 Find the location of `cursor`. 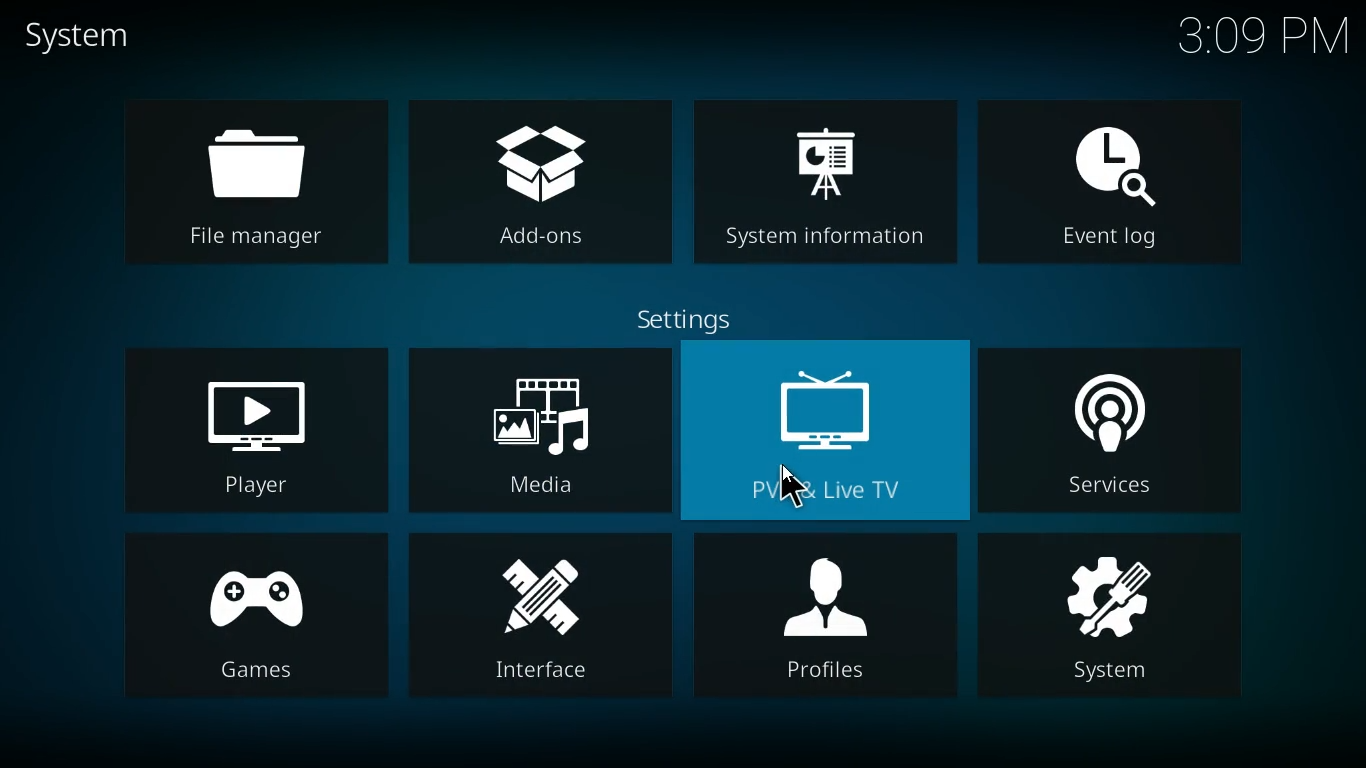

cursor is located at coordinates (790, 484).